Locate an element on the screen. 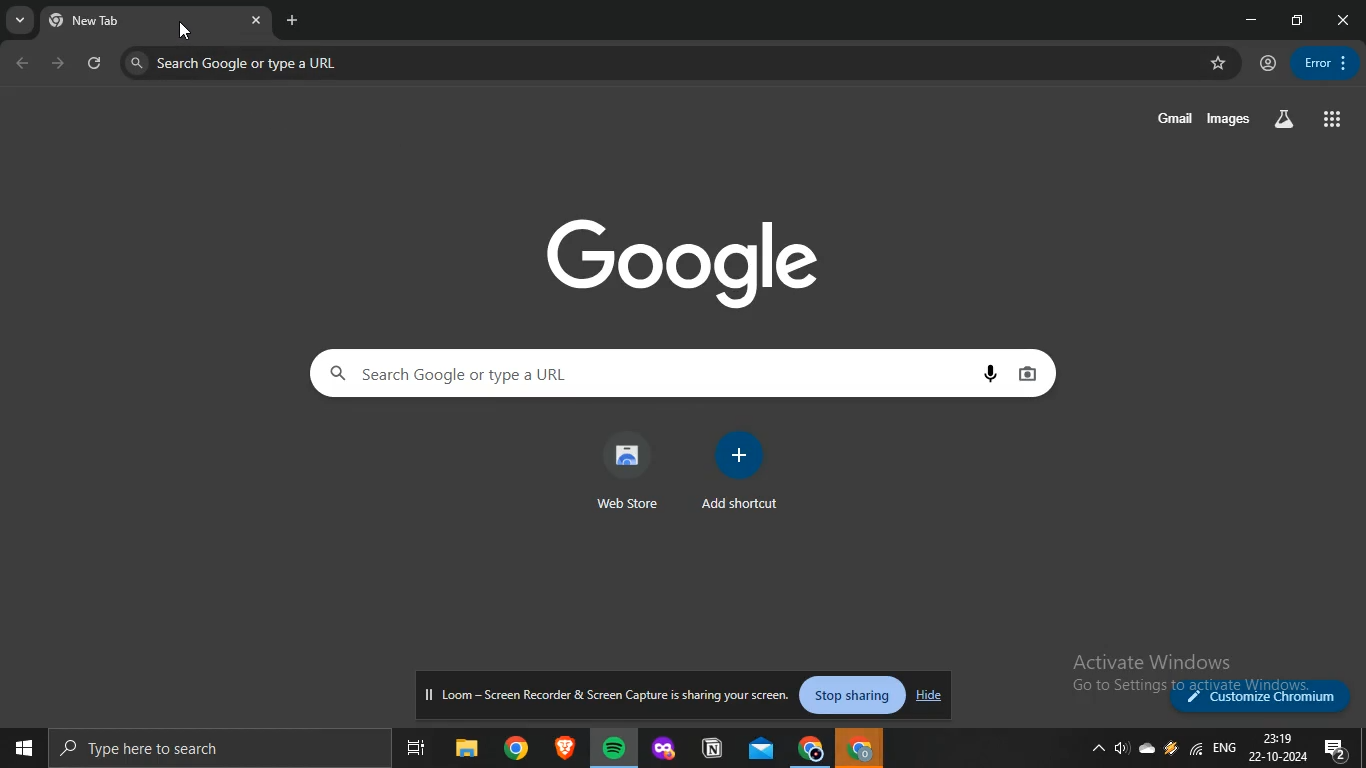 This screenshot has height=768, width=1366. close is located at coordinates (260, 22).